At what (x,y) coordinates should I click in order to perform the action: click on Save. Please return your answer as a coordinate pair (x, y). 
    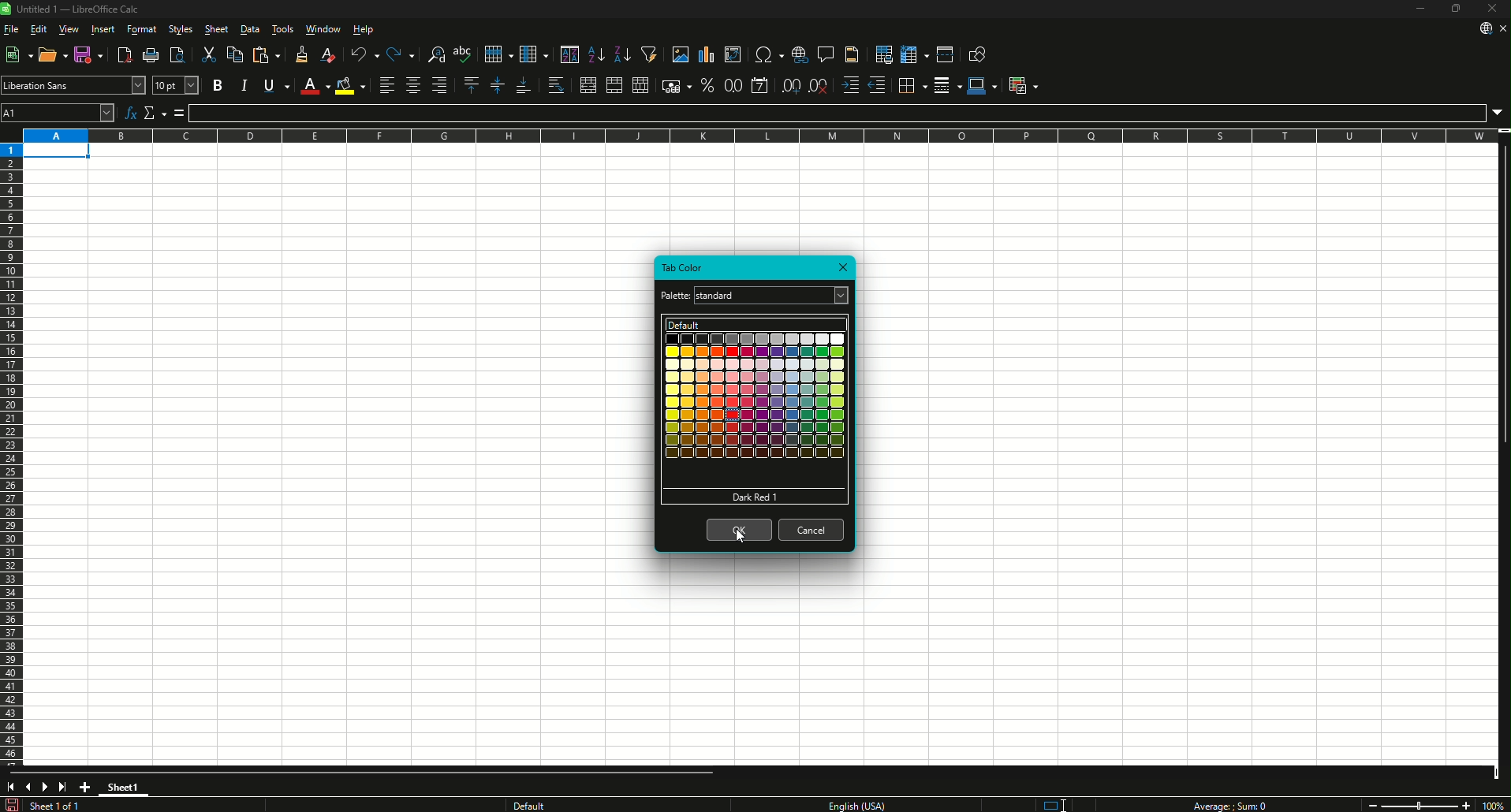
    Looking at the image, I should click on (90, 54).